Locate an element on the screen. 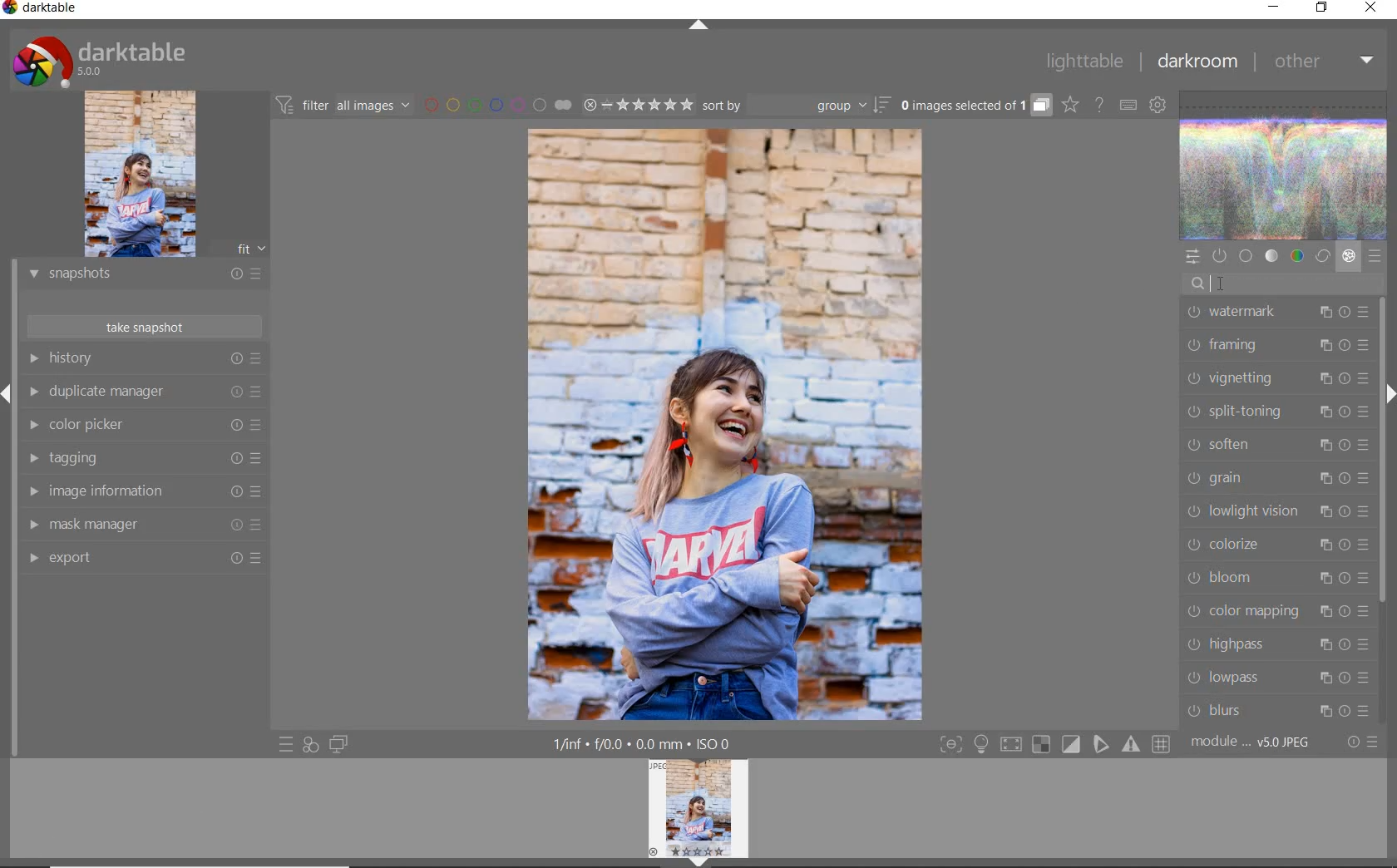 Image resolution: width=1397 pixels, height=868 pixels. 1/inf*f/0.0 mm*ISO 0 is located at coordinates (646, 744).